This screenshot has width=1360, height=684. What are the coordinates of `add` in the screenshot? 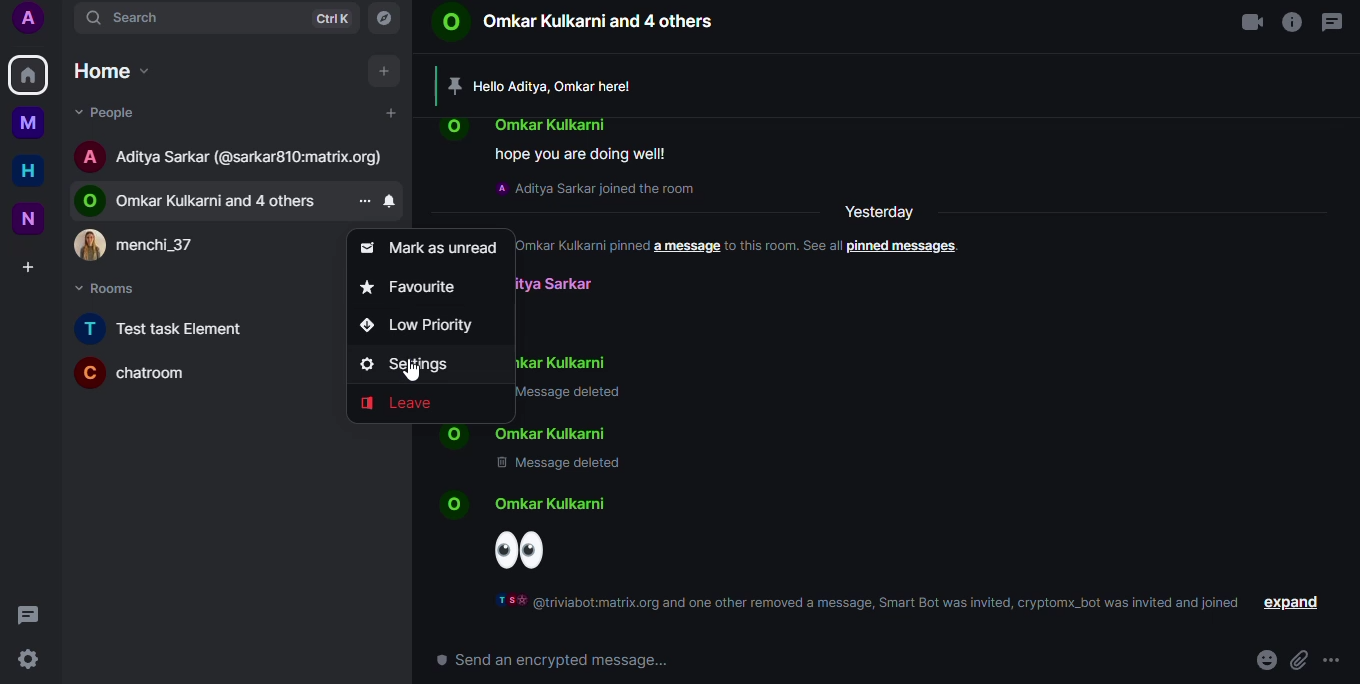 It's located at (383, 70).